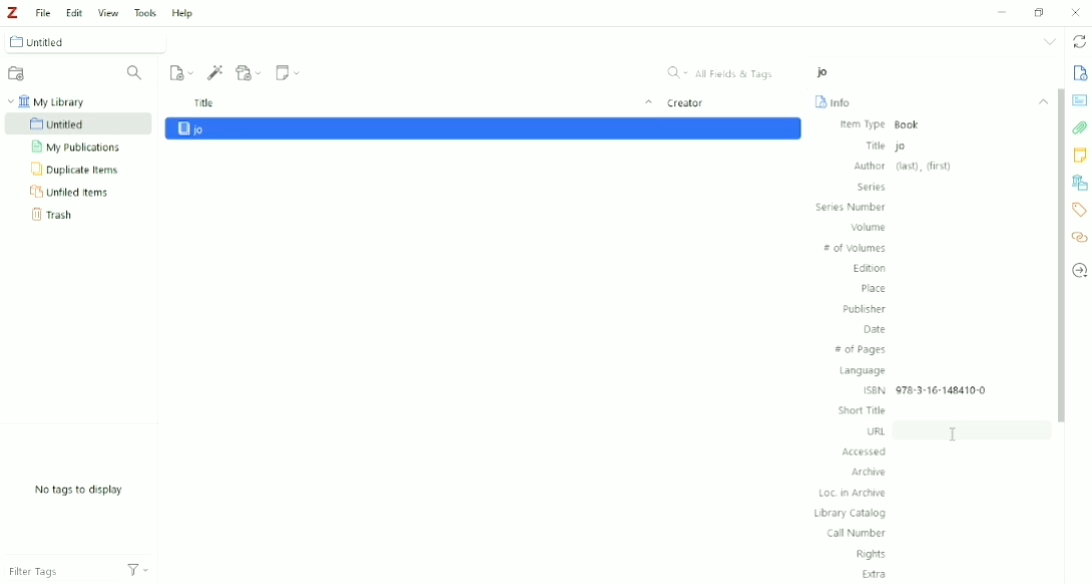 The width and height of the screenshot is (1092, 584). What do you see at coordinates (1080, 99) in the screenshot?
I see `Abstract` at bounding box center [1080, 99].